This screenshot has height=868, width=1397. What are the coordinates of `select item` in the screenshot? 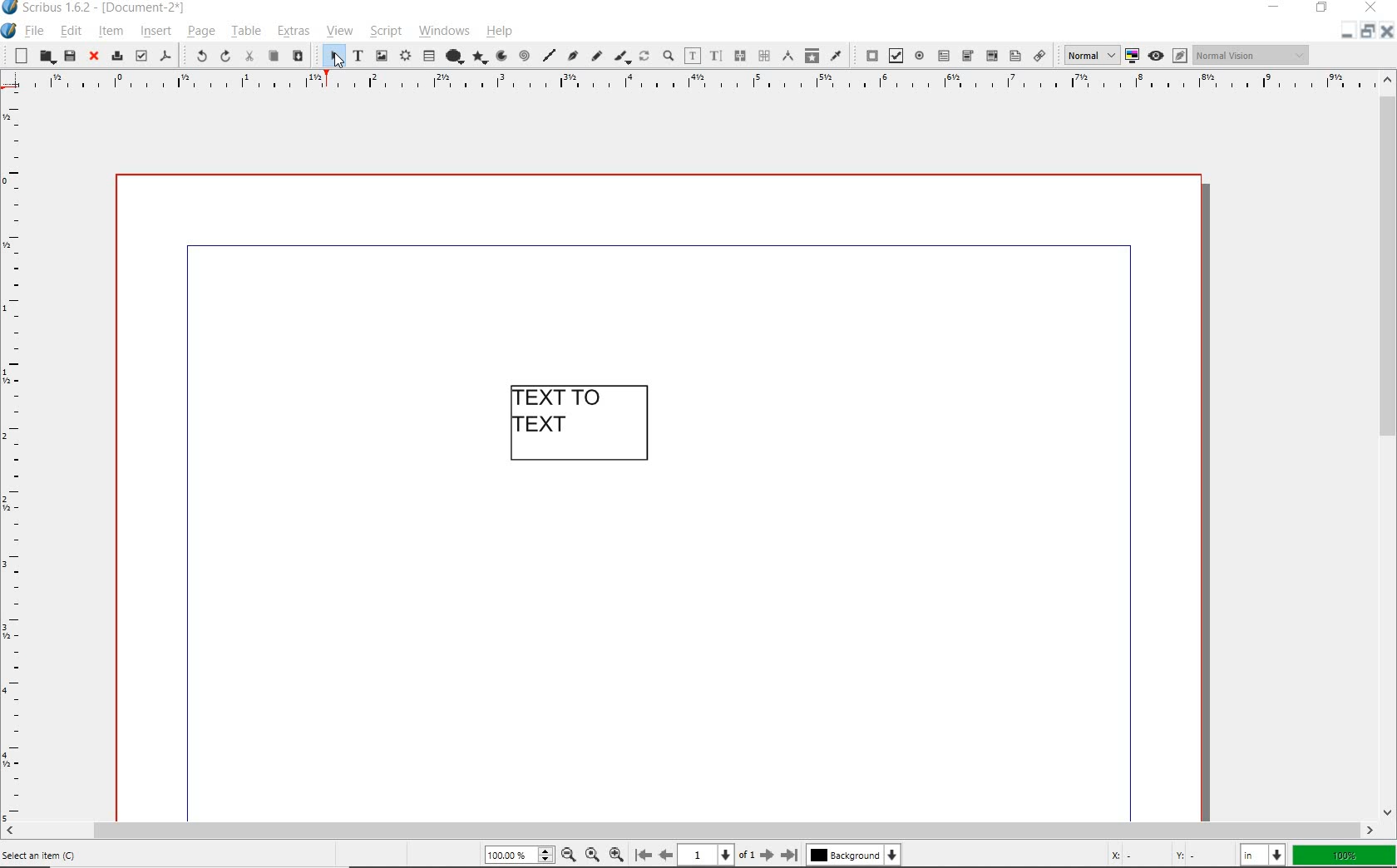 It's located at (330, 55).